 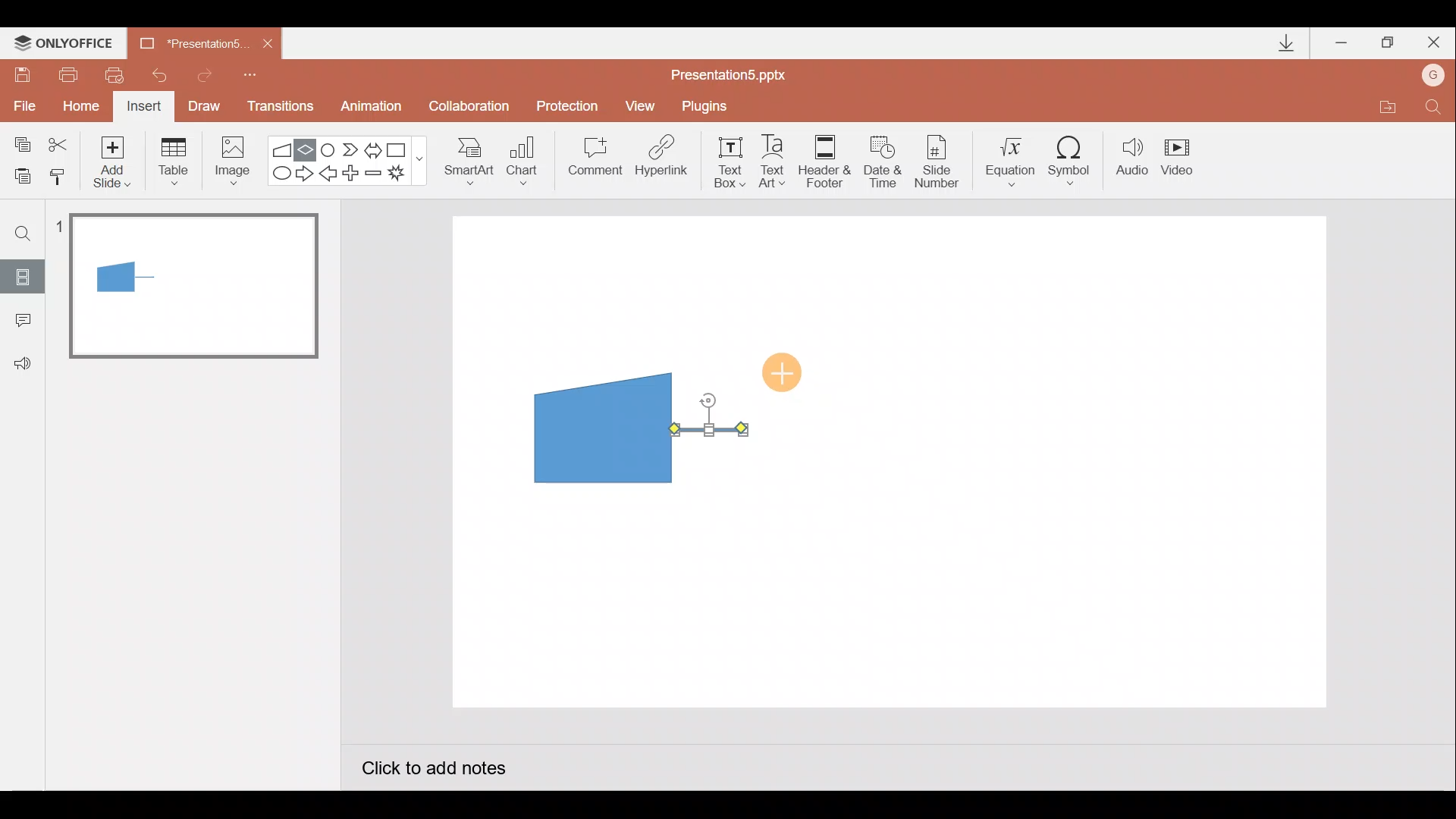 What do you see at coordinates (205, 105) in the screenshot?
I see `Draw` at bounding box center [205, 105].